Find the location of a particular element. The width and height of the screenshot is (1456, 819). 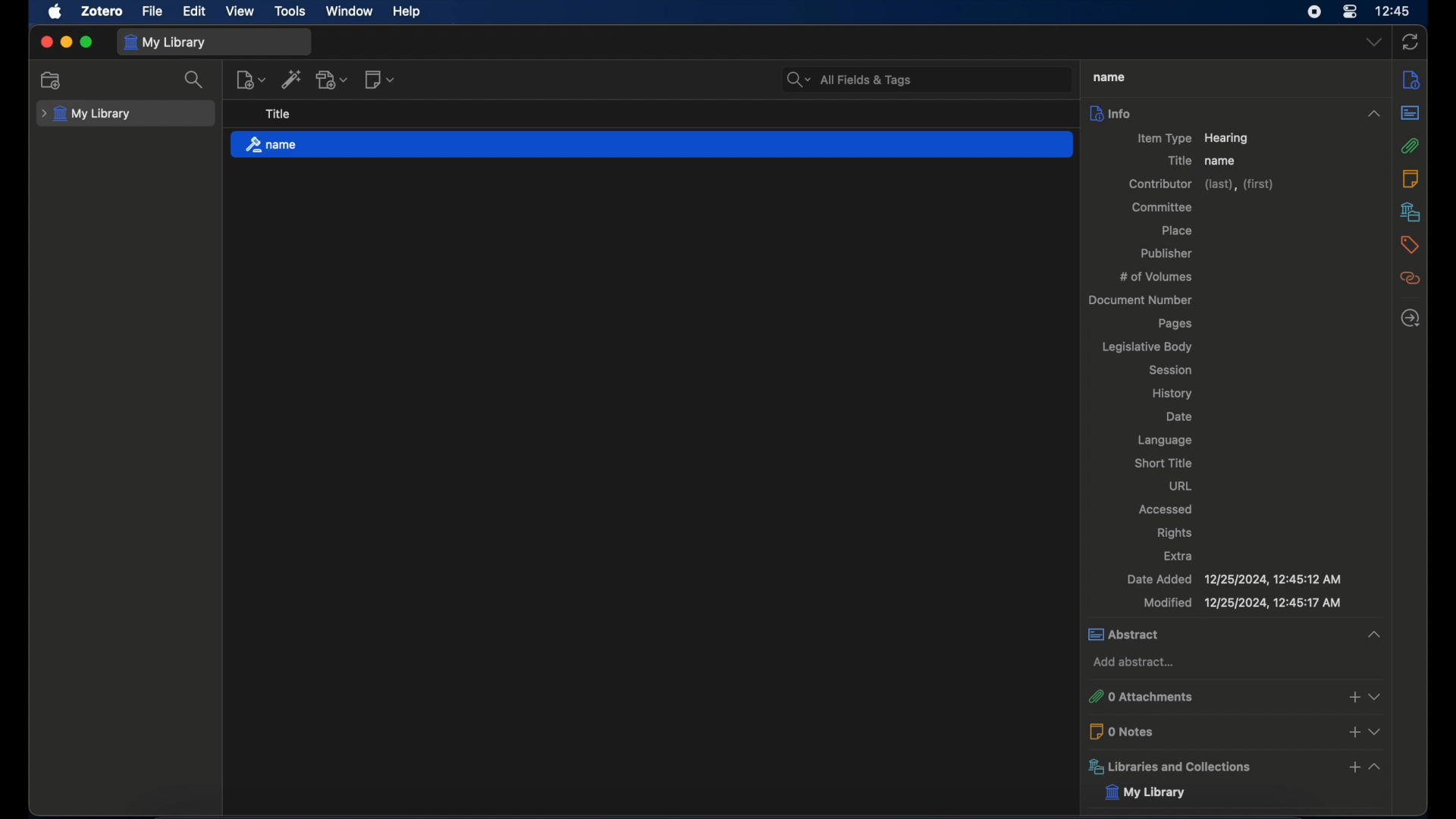

libraries and collections is located at coordinates (1235, 767).